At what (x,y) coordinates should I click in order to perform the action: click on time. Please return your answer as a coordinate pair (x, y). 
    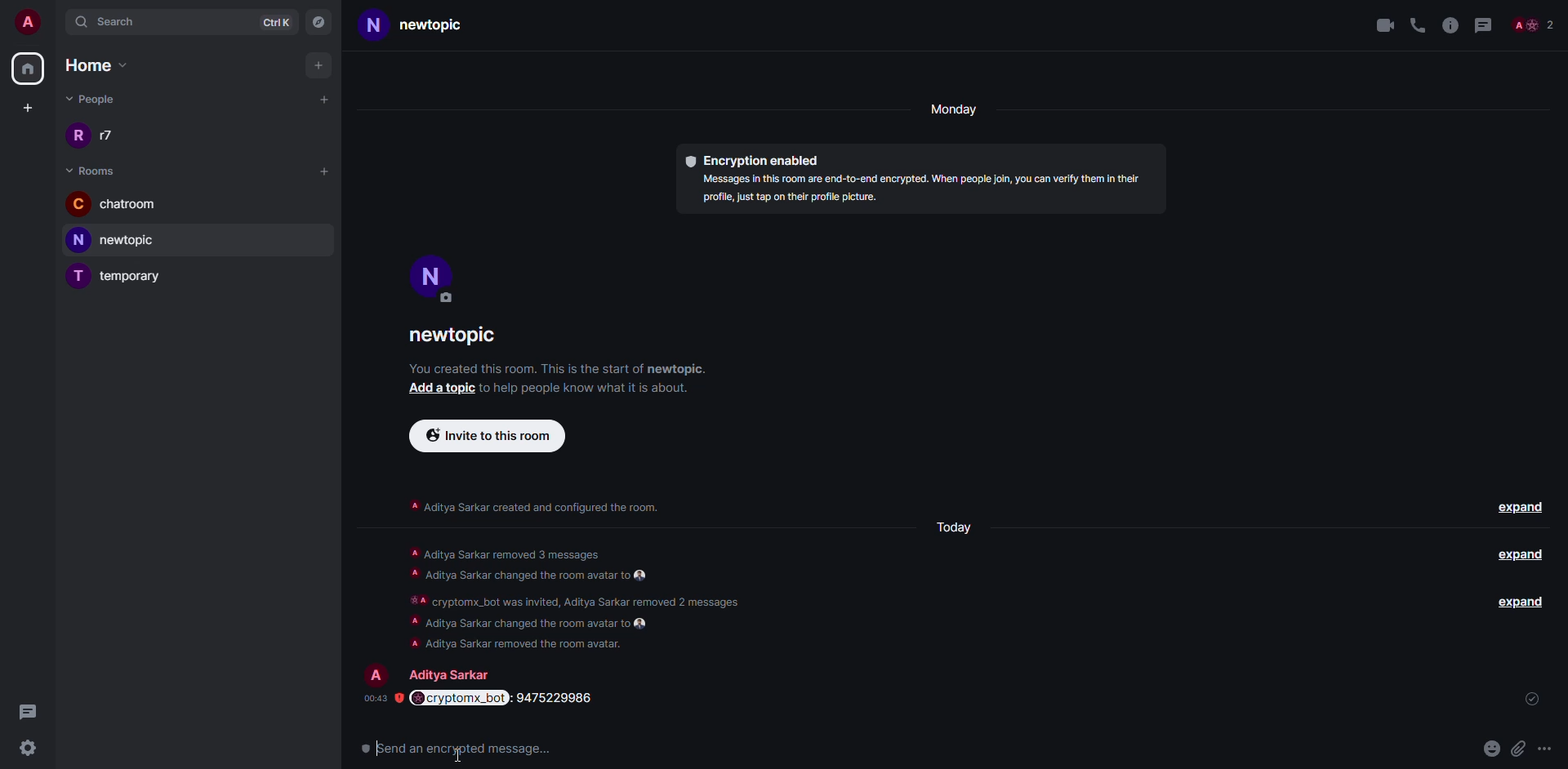
    Looking at the image, I should click on (372, 698).